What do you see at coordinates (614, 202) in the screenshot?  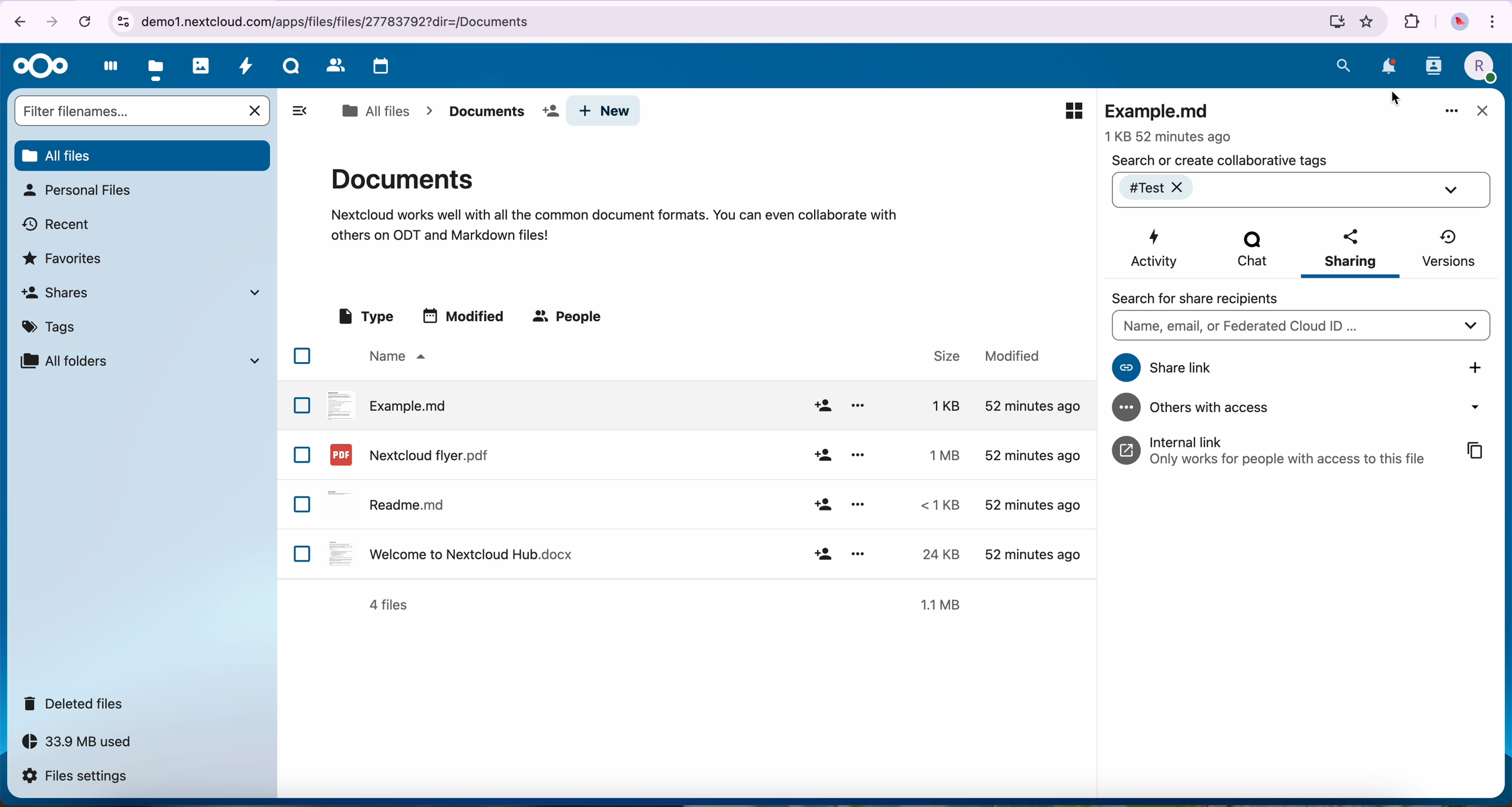 I see `documents` at bounding box center [614, 202].